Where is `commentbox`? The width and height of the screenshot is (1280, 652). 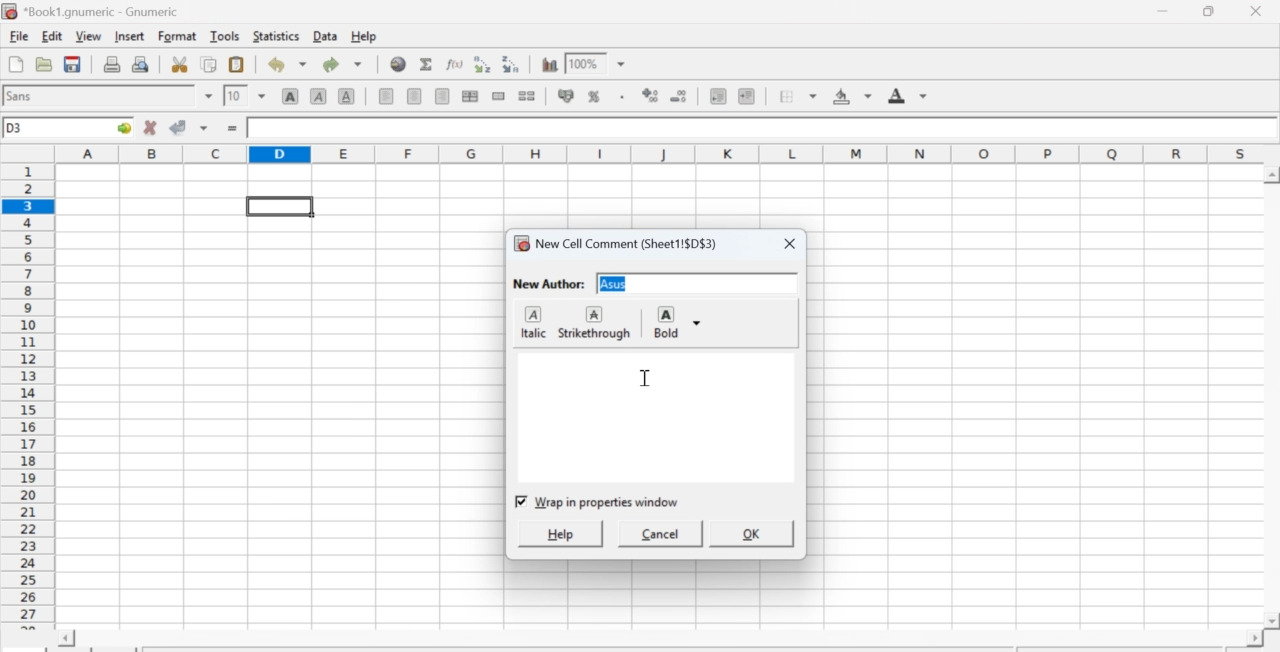 commentbox is located at coordinates (655, 419).